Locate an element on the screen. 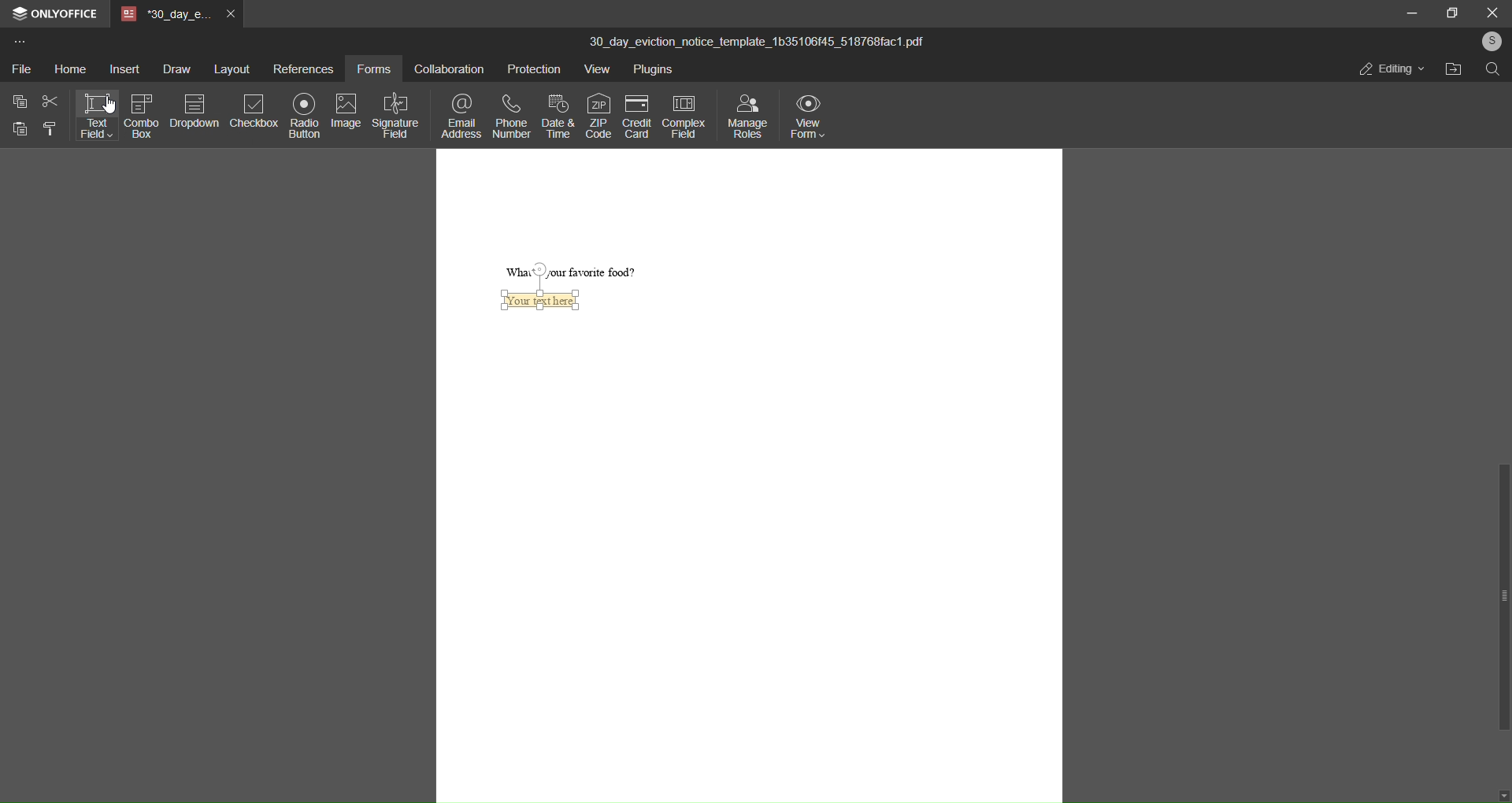 Image resolution: width=1512 pixels, height=803 pixels. cut is located at coordinates (50, 103).